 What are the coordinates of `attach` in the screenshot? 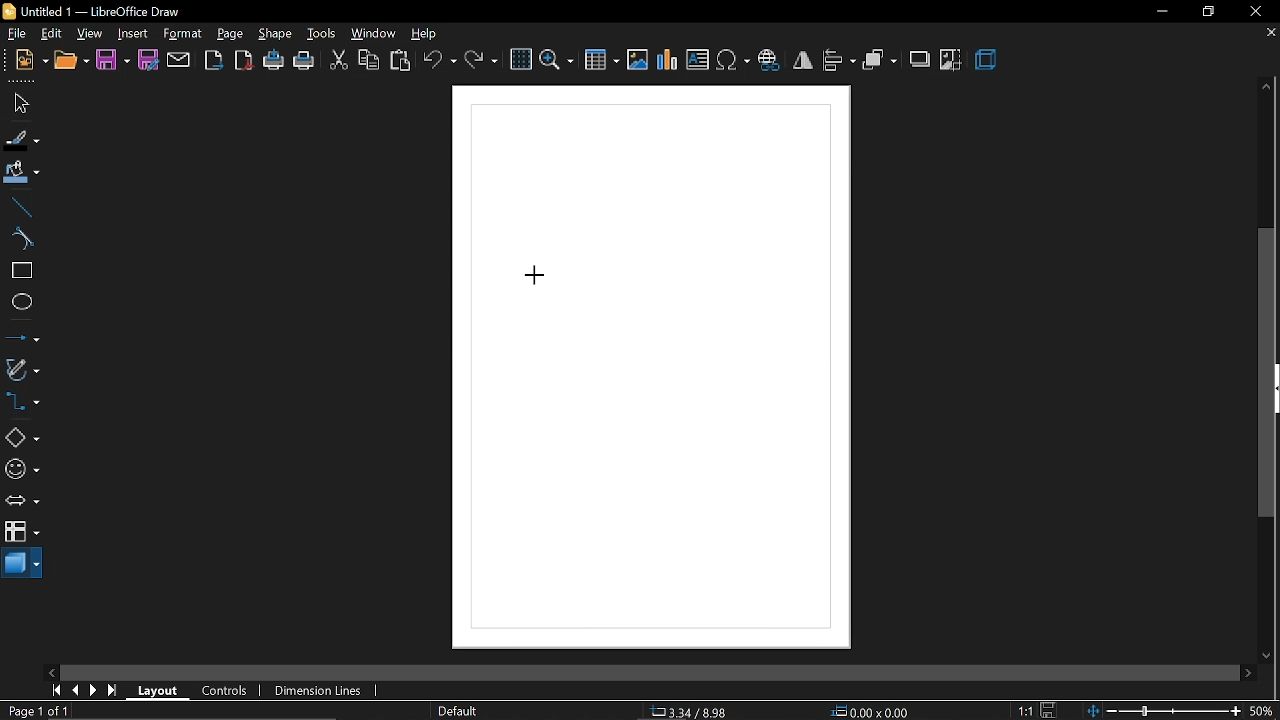 It's located at (180, 60).